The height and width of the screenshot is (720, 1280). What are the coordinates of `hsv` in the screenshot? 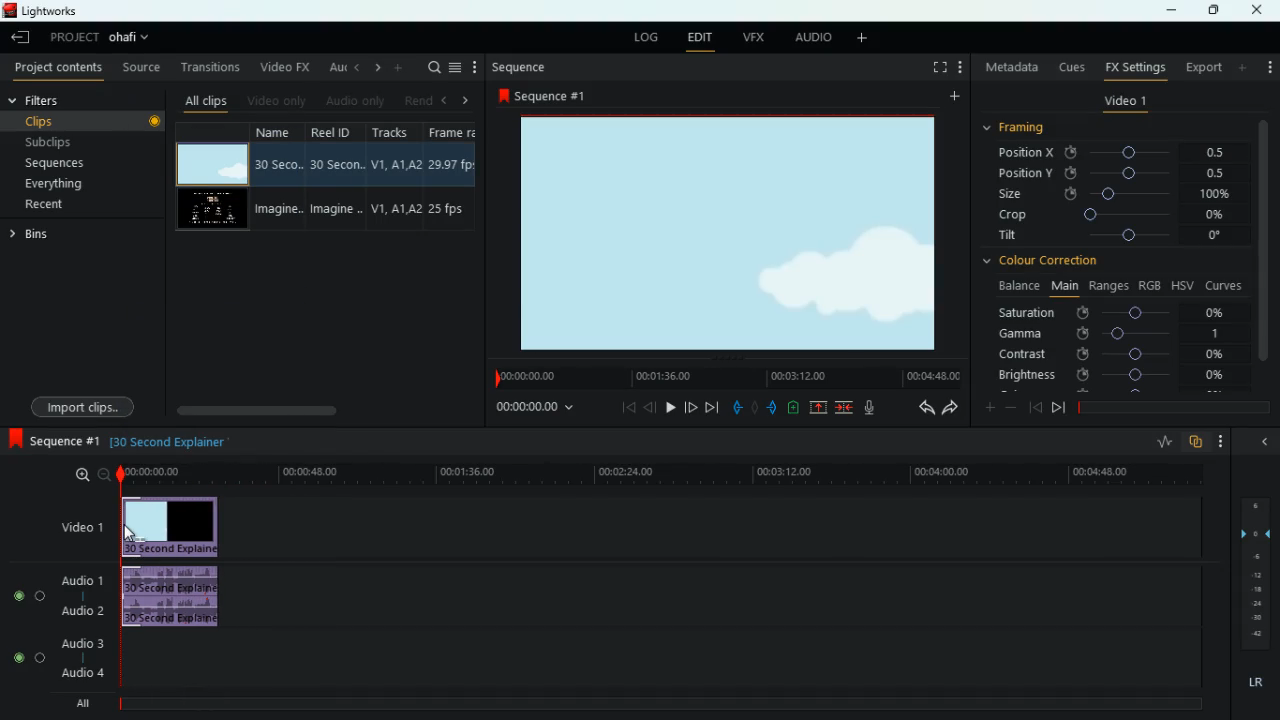 It's located at (1180, 285).